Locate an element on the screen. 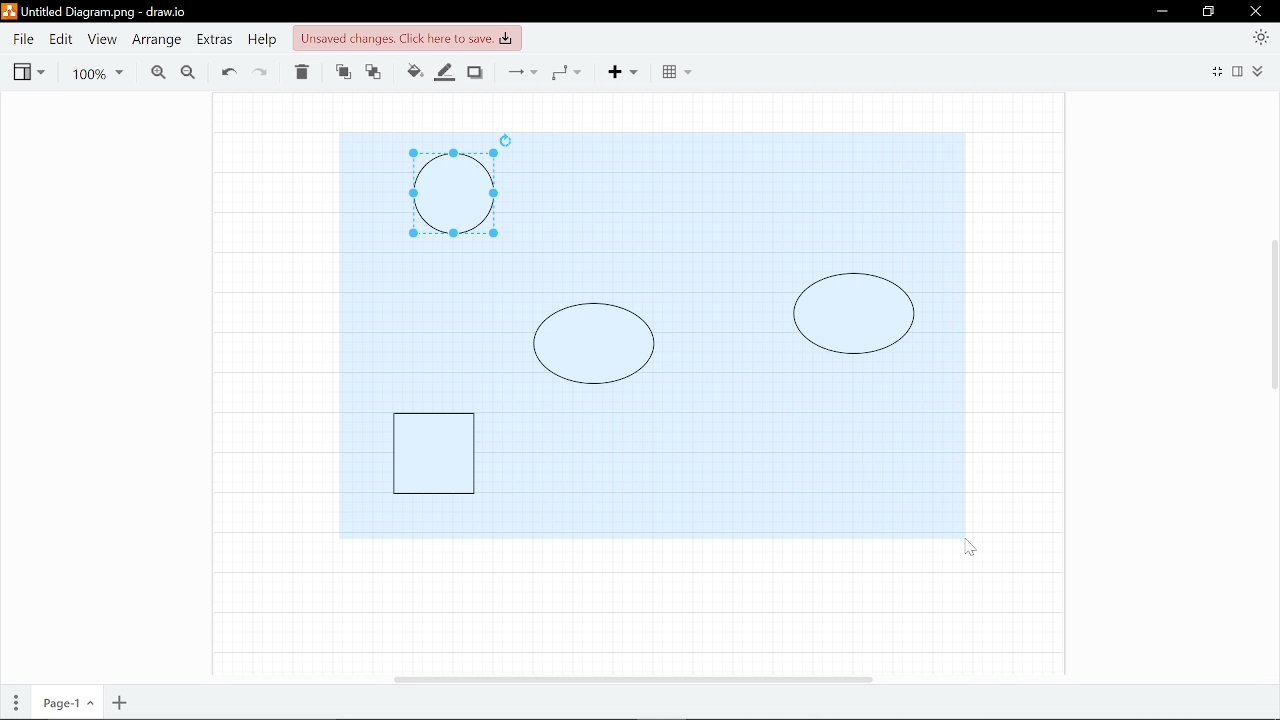 This screenshot has width=1280, height=720. Extras is located at coordinates (214, 39).